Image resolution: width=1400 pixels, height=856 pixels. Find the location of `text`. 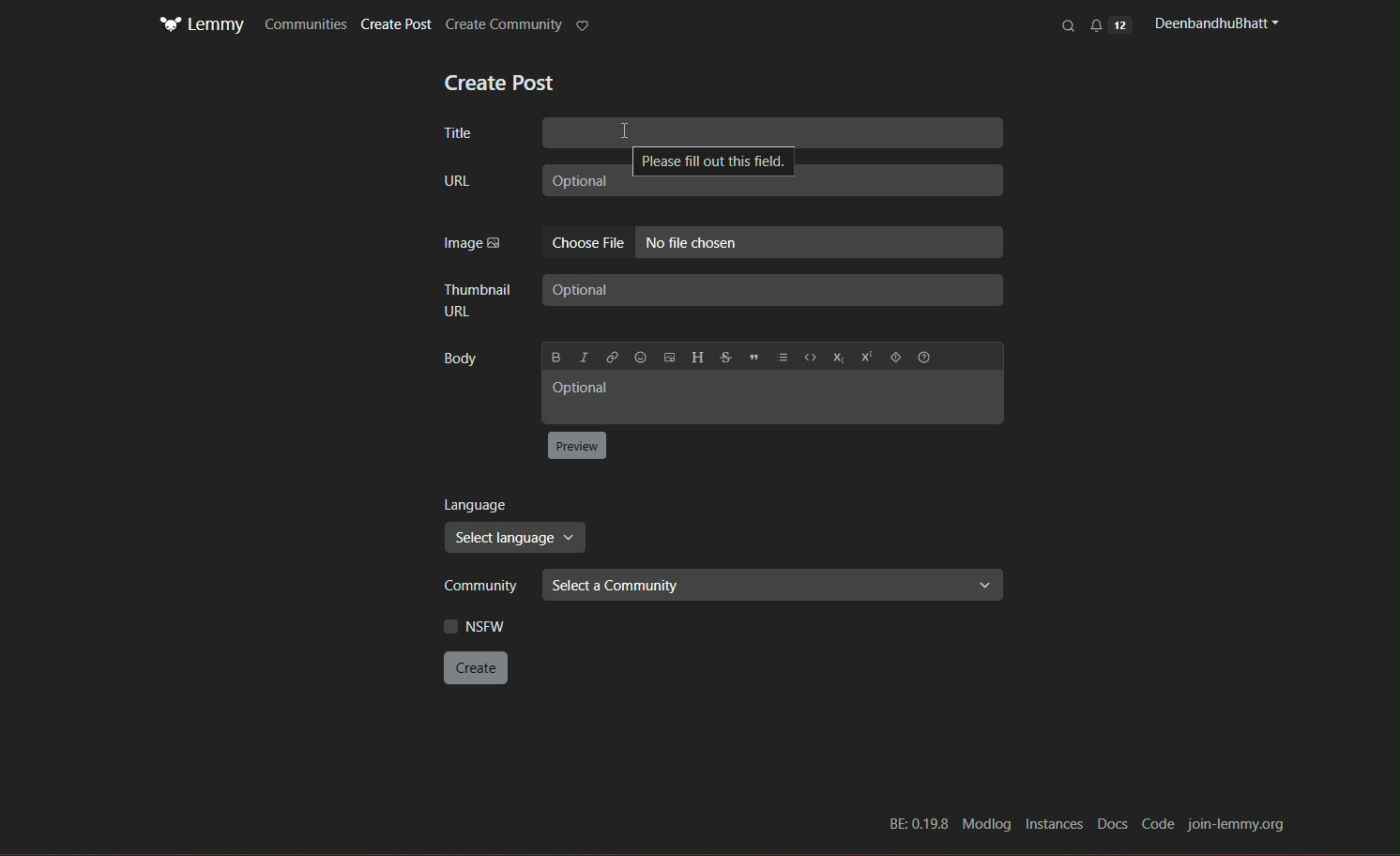

text is located at coordinates (500, 84).